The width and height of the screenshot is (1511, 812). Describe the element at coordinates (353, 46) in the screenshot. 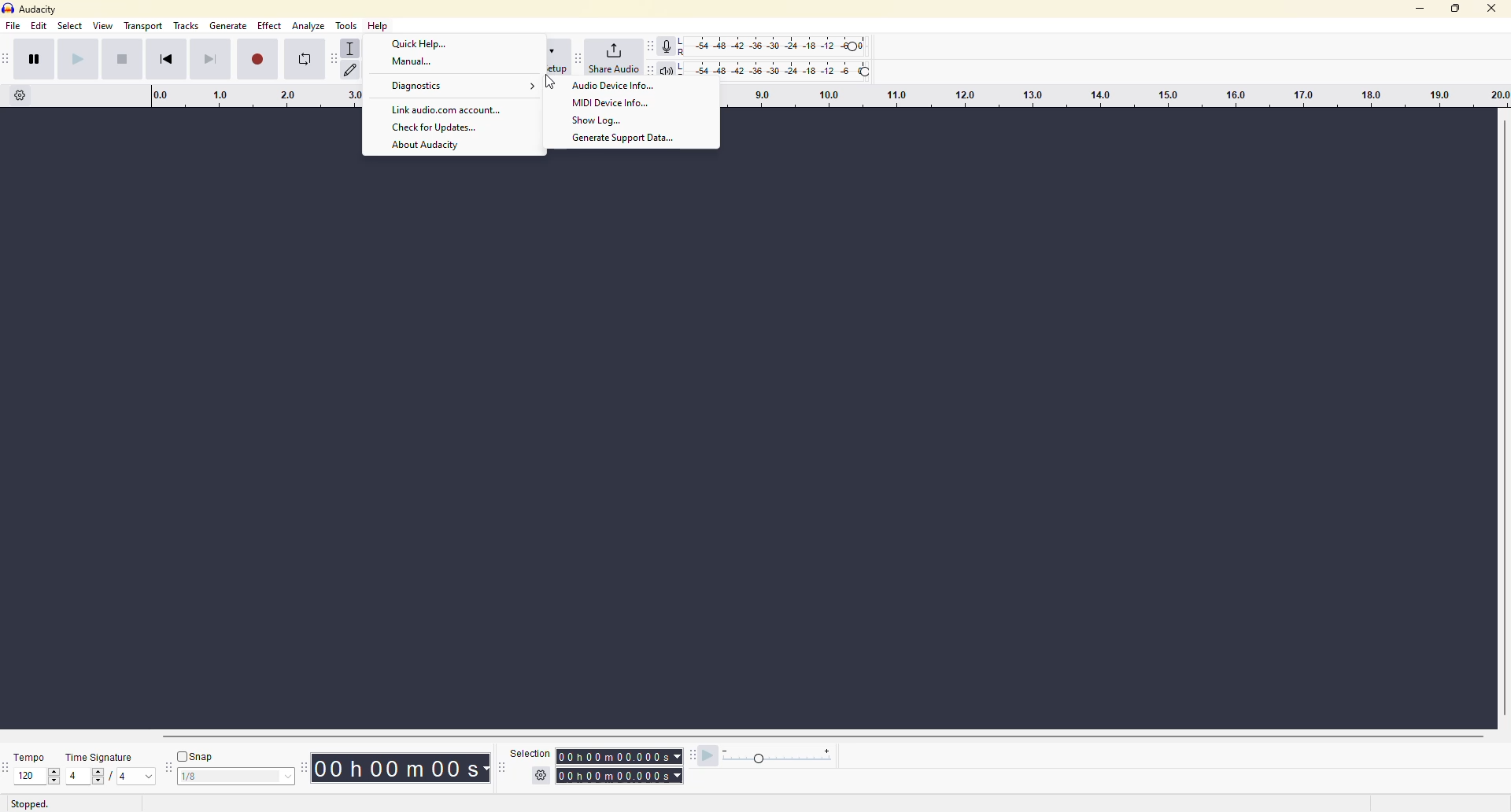

I see `selection tool` at that location.